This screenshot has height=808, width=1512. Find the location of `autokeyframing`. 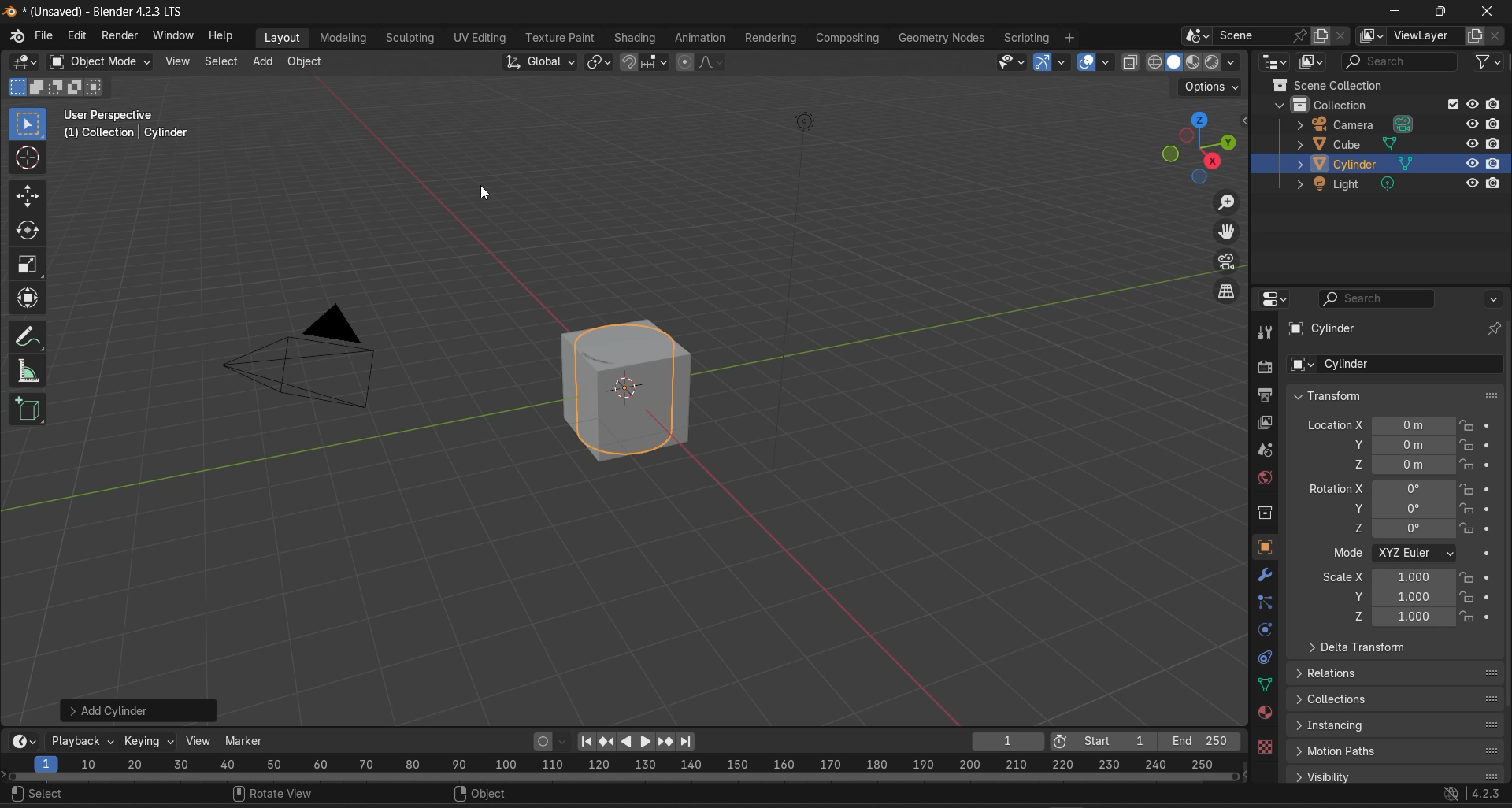

autokeyframing is located at coordinates (565, 742).